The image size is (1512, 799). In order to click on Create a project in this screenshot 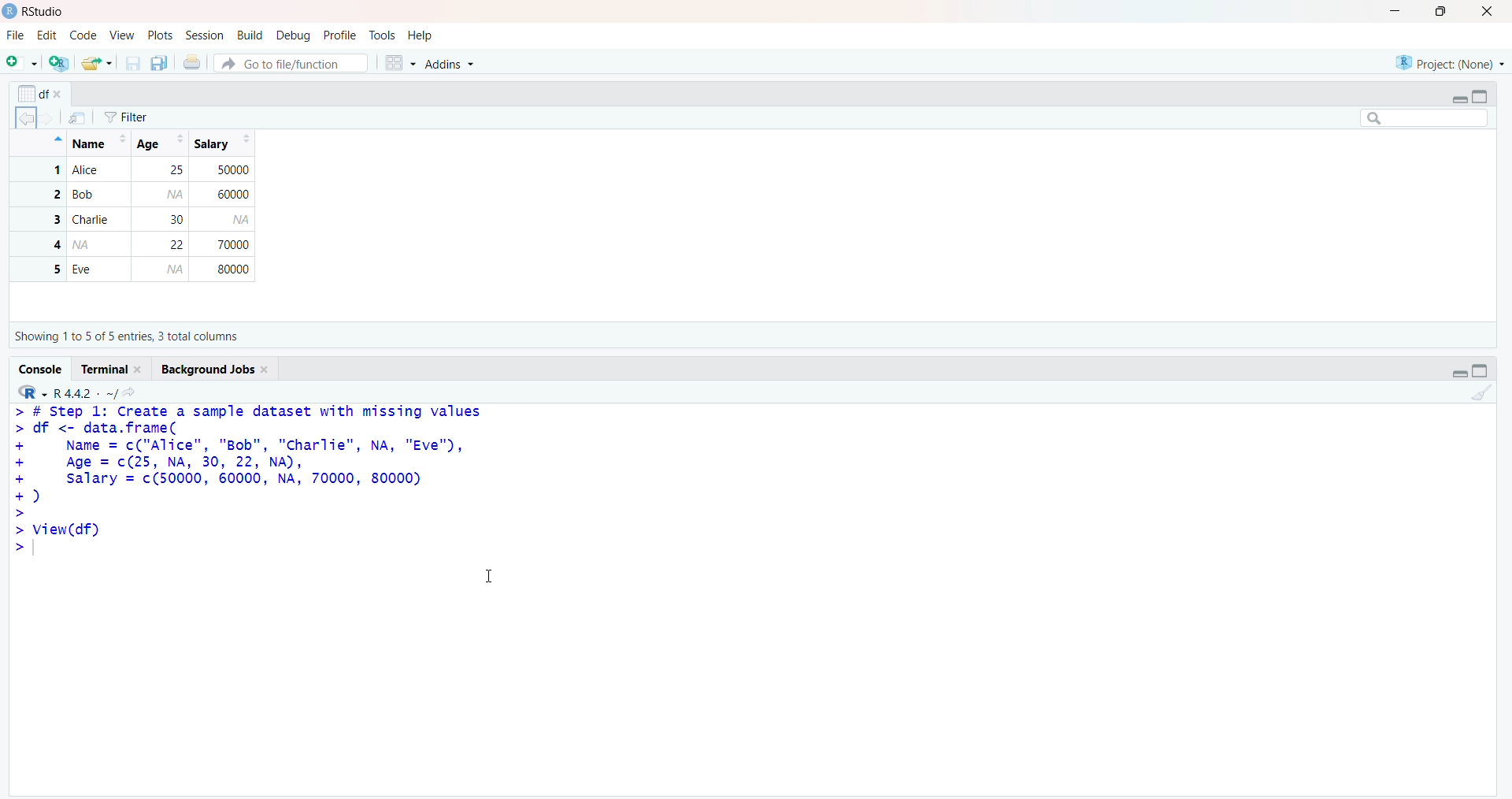, I will do `click(57, 63)`.